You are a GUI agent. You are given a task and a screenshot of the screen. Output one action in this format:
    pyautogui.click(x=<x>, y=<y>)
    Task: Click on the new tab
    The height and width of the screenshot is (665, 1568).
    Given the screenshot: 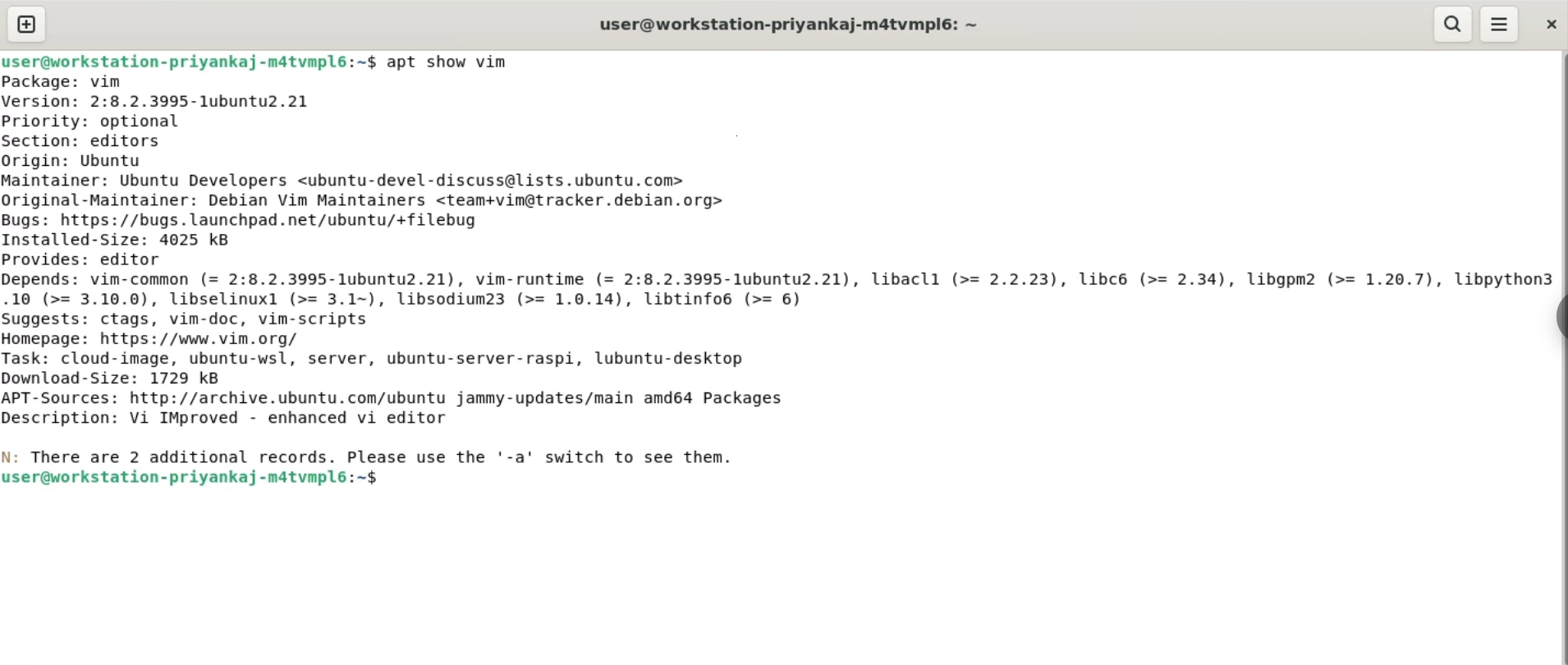 What is the action you would take?
    pyautogui.click(x=26, y=24)
    